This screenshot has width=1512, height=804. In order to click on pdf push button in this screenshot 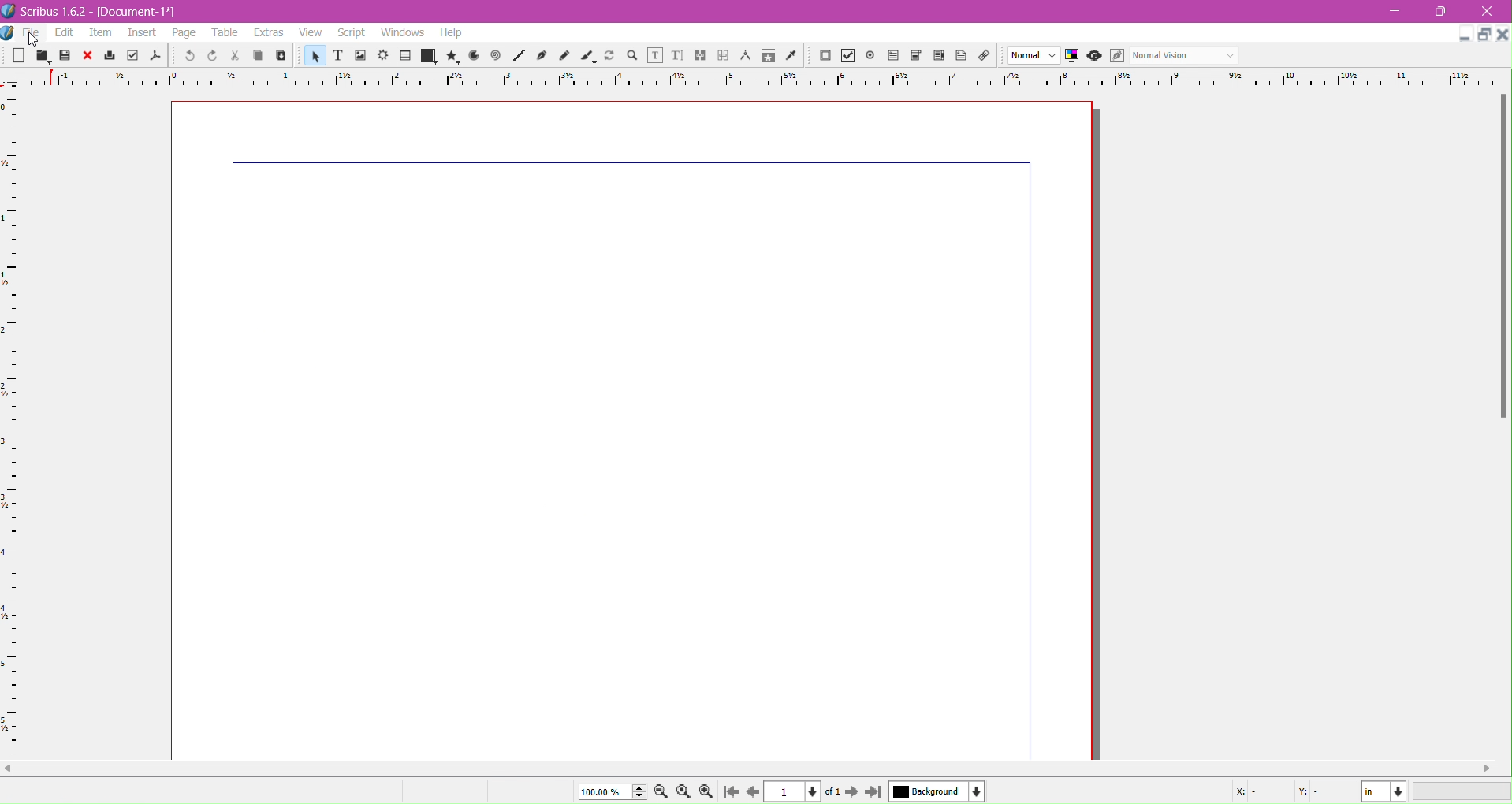, I will do `click(825, 56)`.